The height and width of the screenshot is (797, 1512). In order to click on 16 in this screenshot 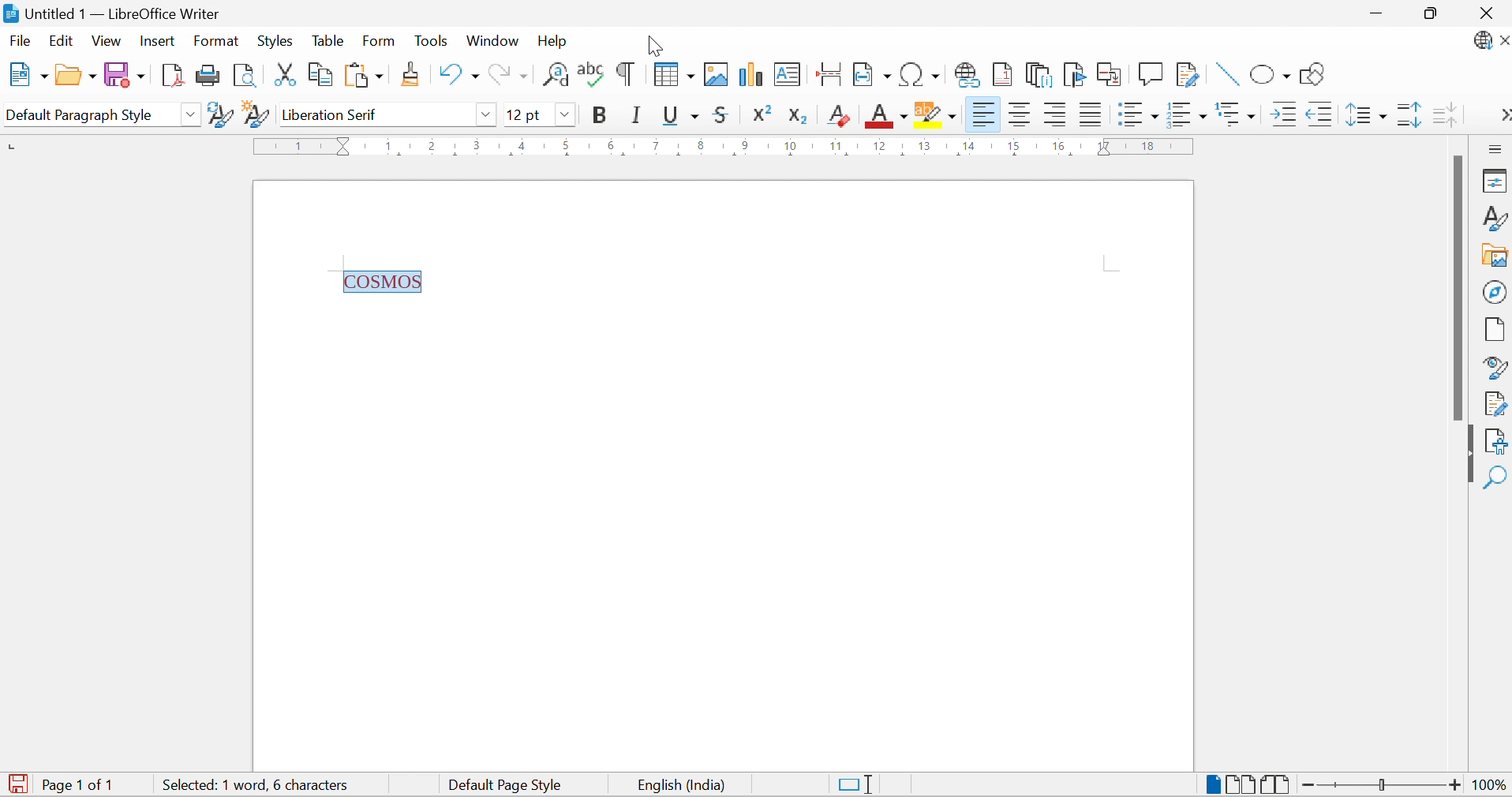, I will do `click(1057, 147)`.